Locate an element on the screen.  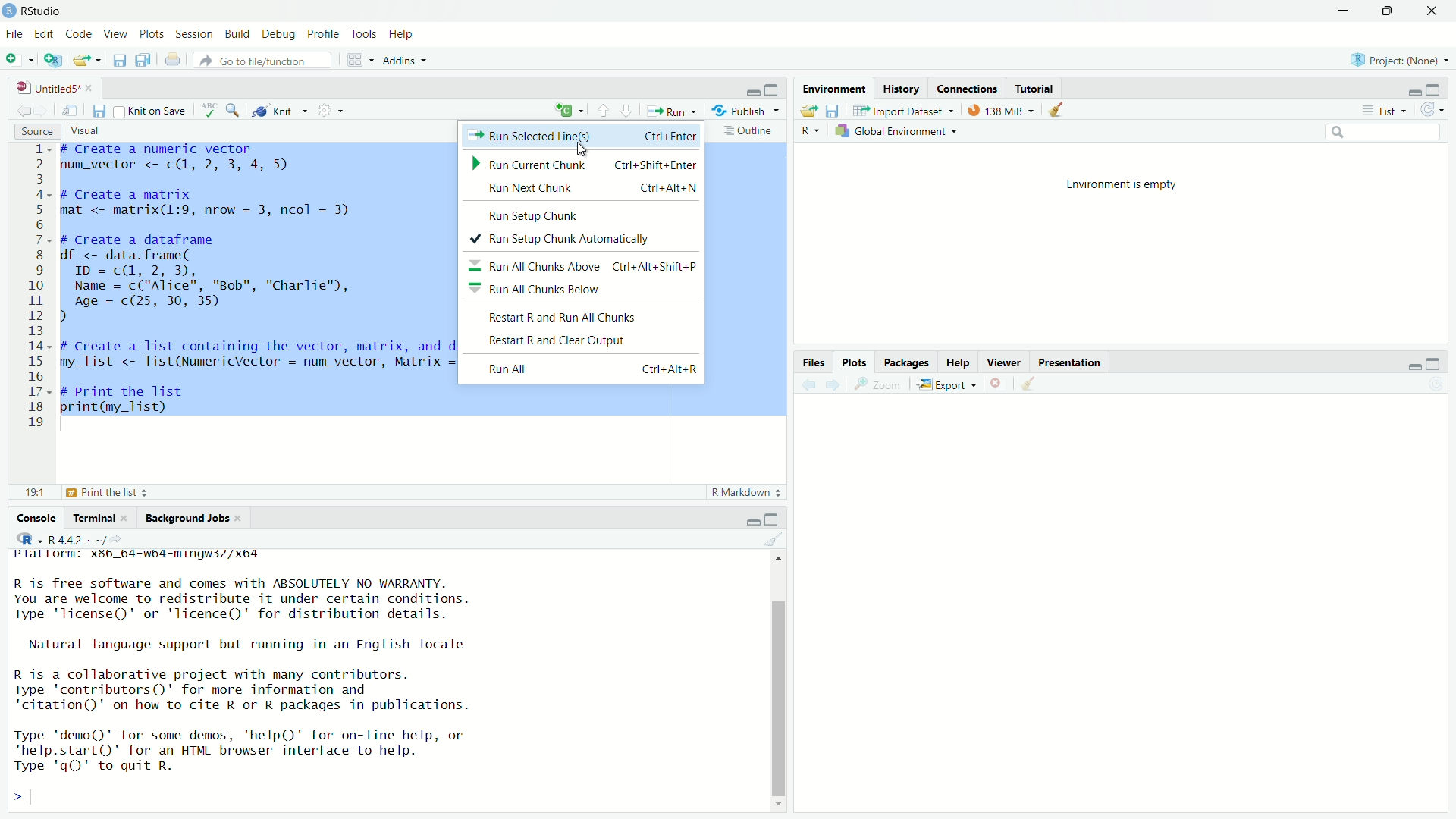
Profile is located at coordinates (322, 33).